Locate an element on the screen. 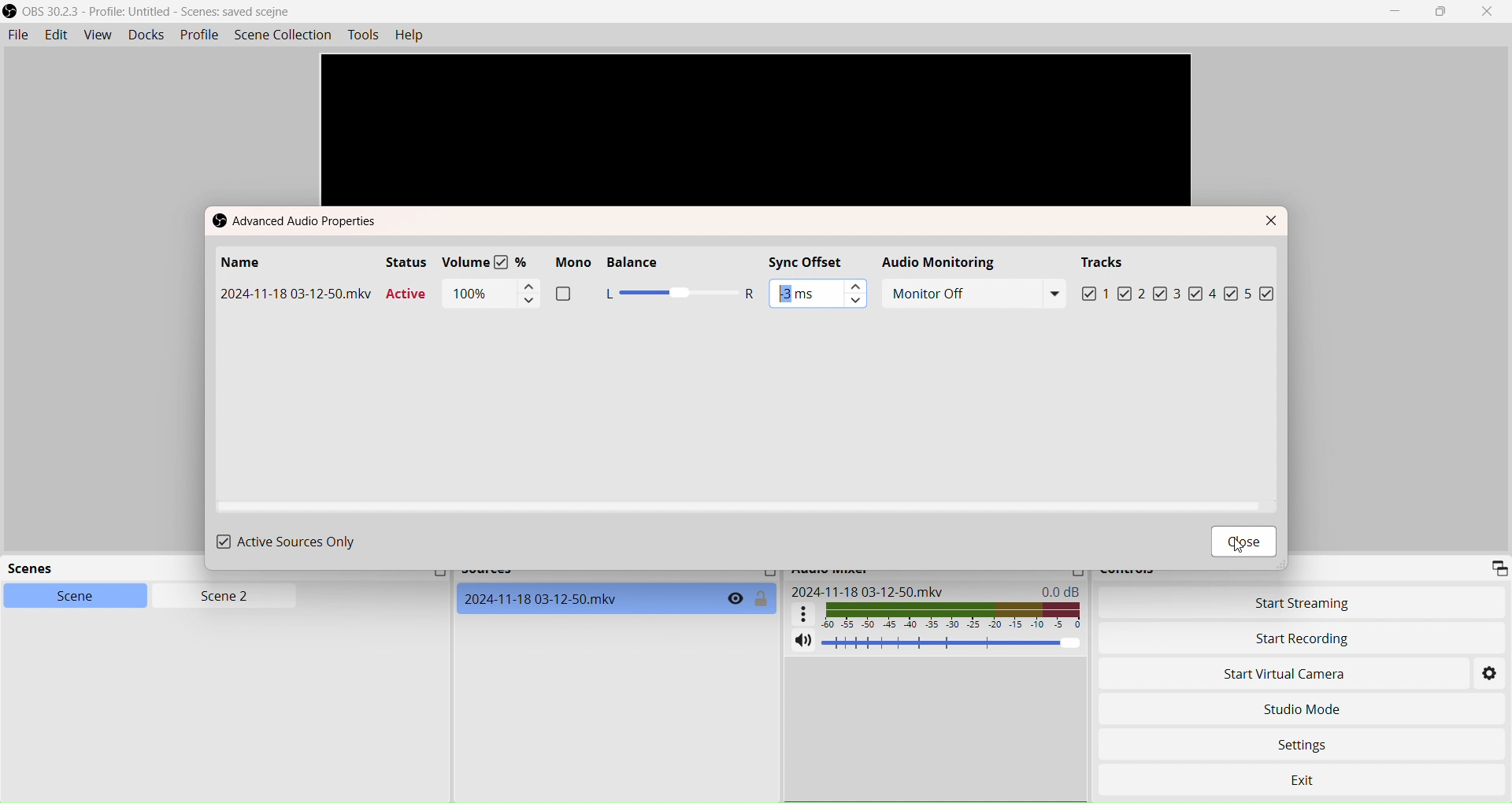 Image resolution: width=1512 pixels, height=803 pixels. Audio Monitoring is located at coordinates (943, 262).